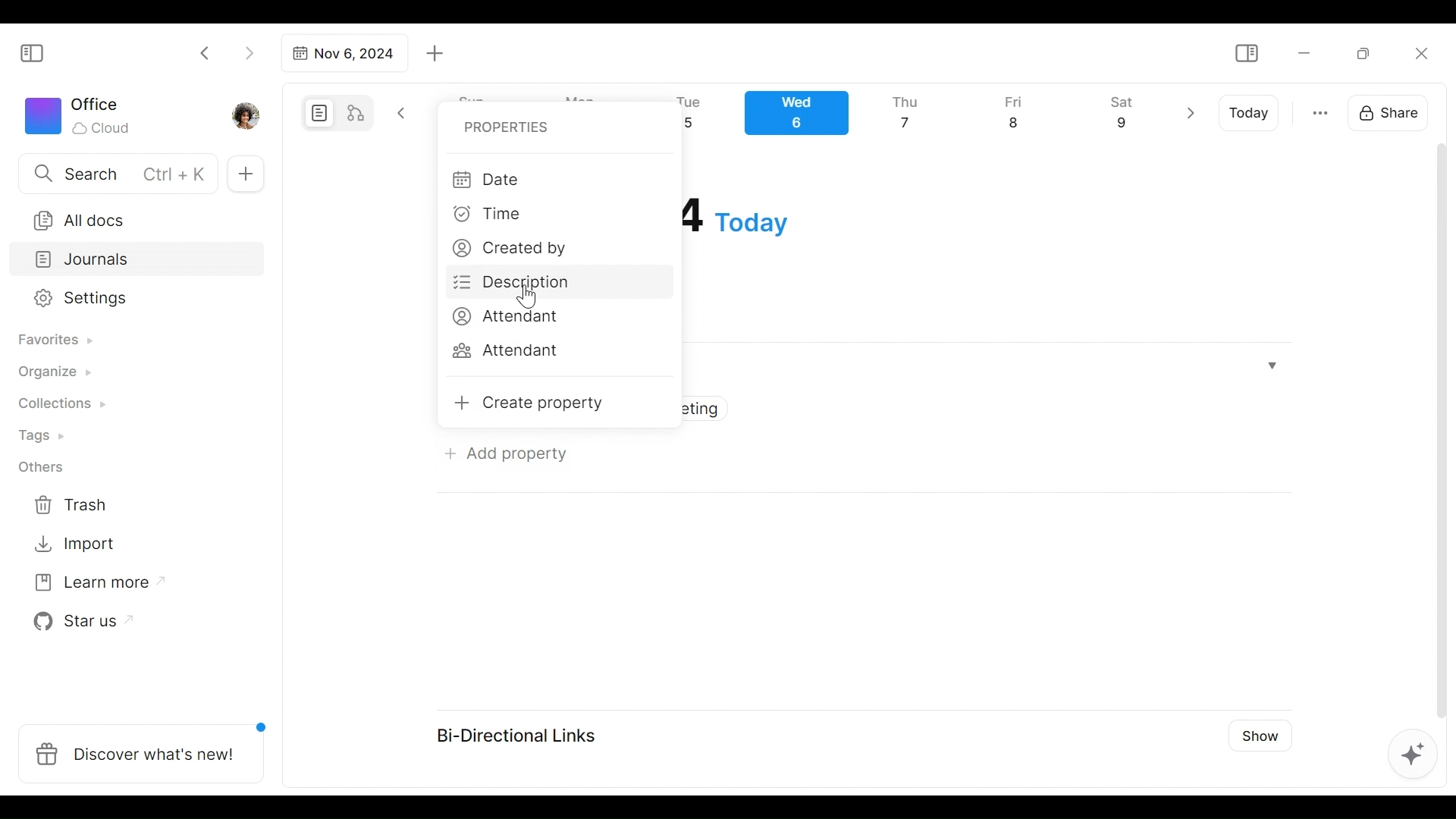 The image size is (1456, 819). What do you see at coordinates (147, 745) in the screenshot?
I see `Discover what's new` at bounding box center [147, 745].